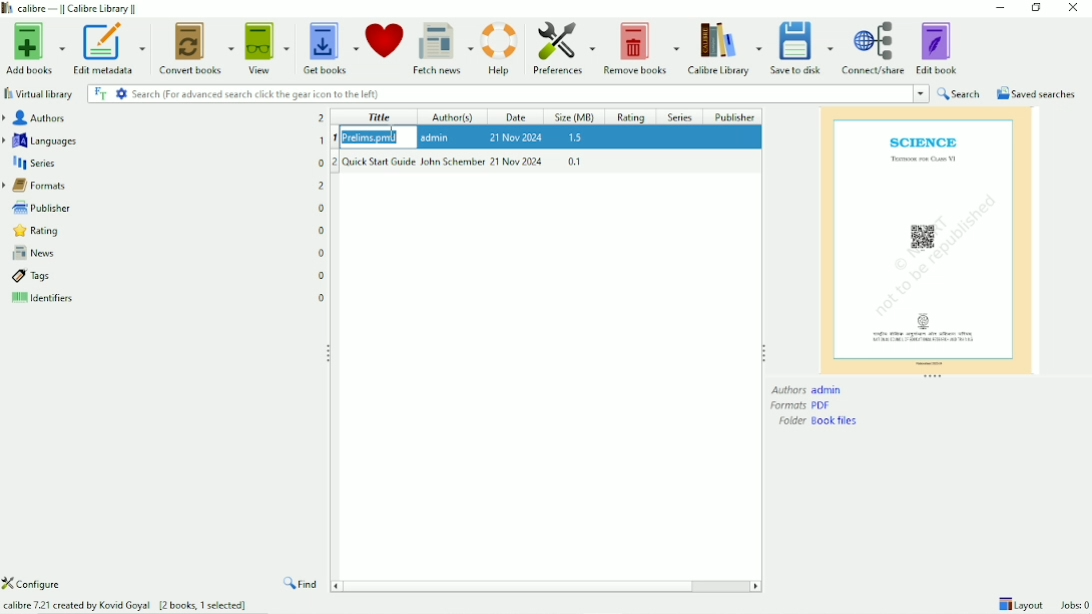 This screenshot has width=1092, height=614. Describe the element at coordinates (681, 116) in the screenshot. I see `Series` at that location.